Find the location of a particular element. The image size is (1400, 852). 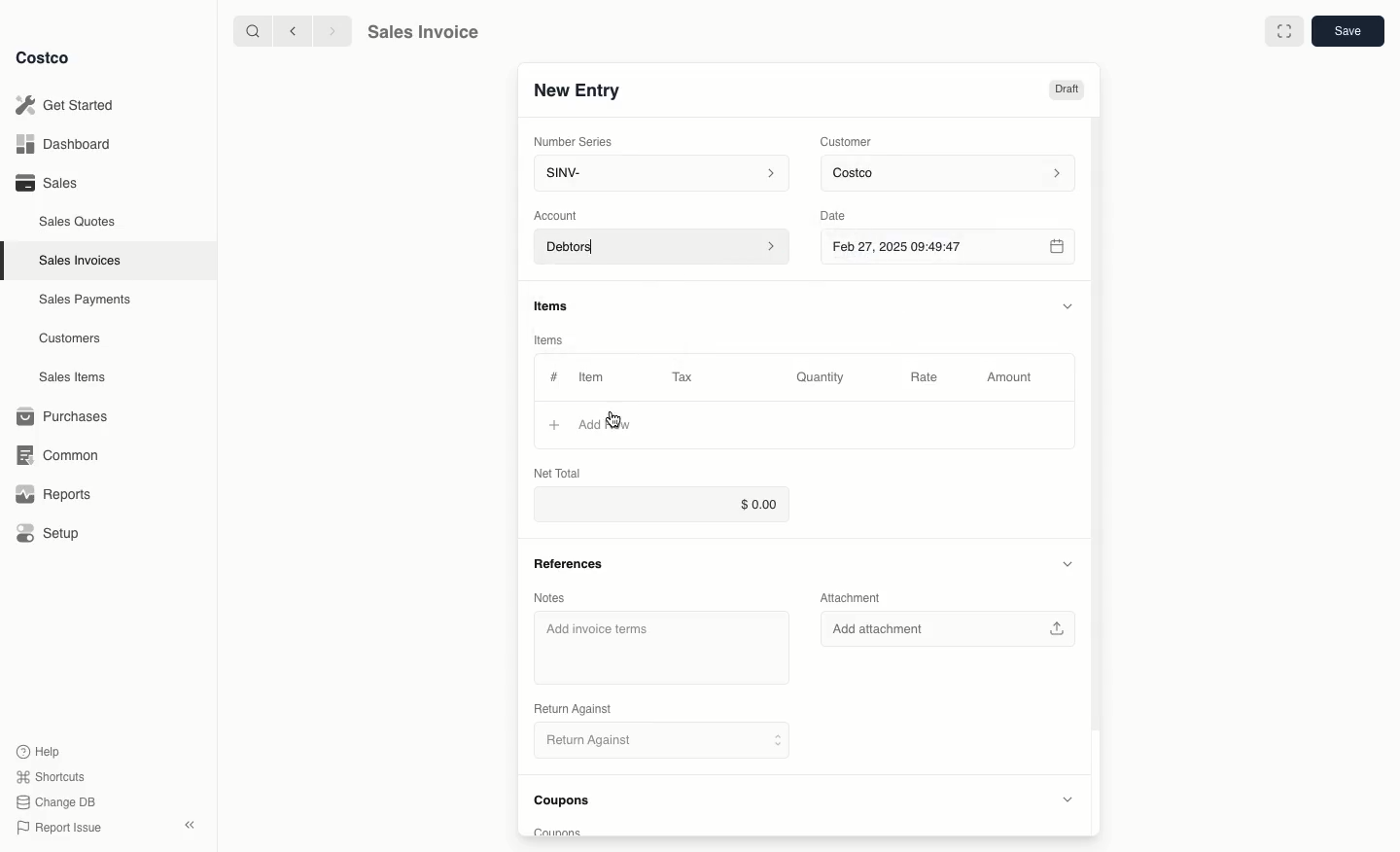

Item is located at coordinates (593, 376).